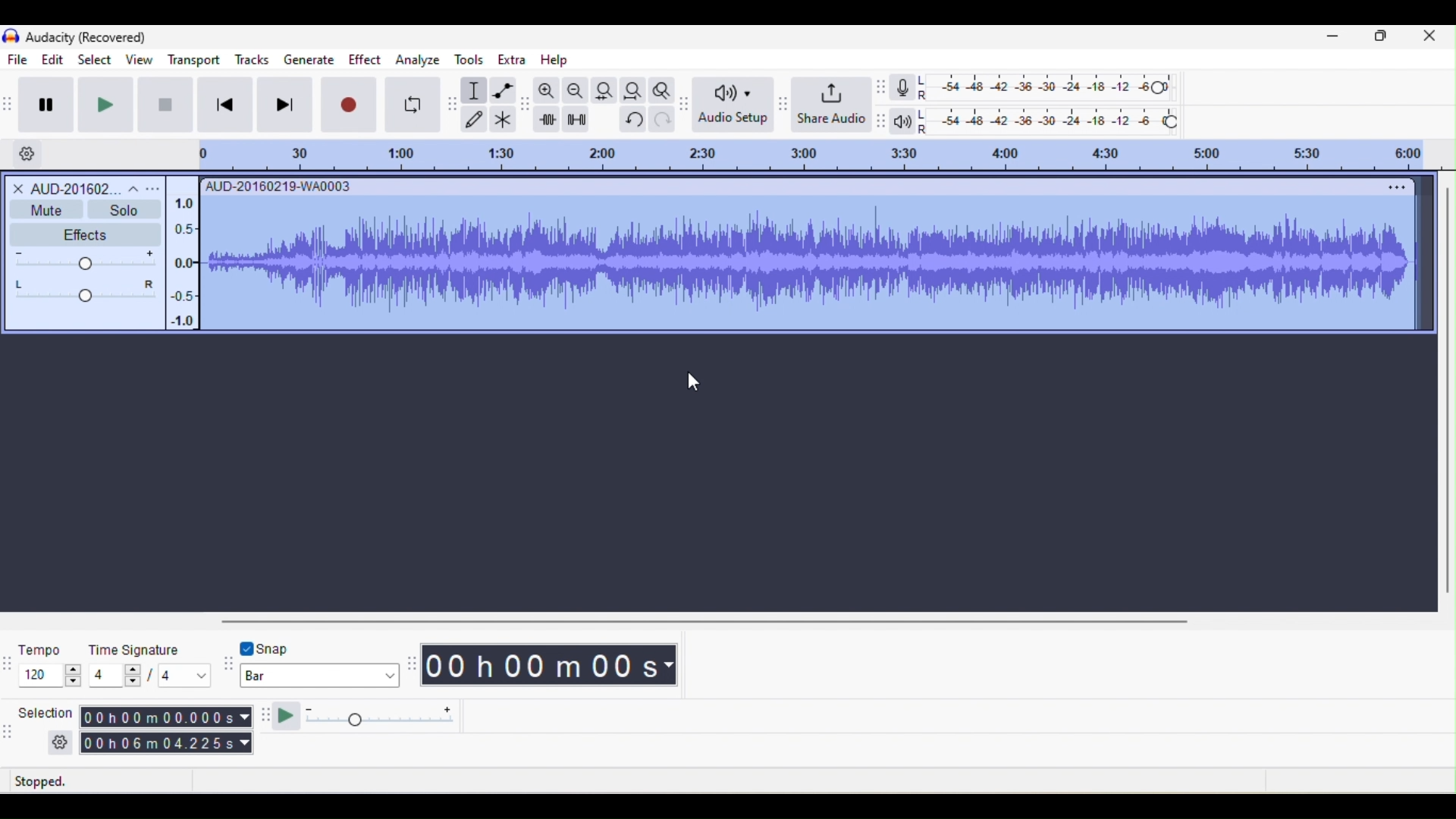 Image resolution: width=1456 pixels, height=819 pixels. What do you see at coordinates (1047, 86) in the screenshot?
I see `recording level` at bounding box center [1047, 86].